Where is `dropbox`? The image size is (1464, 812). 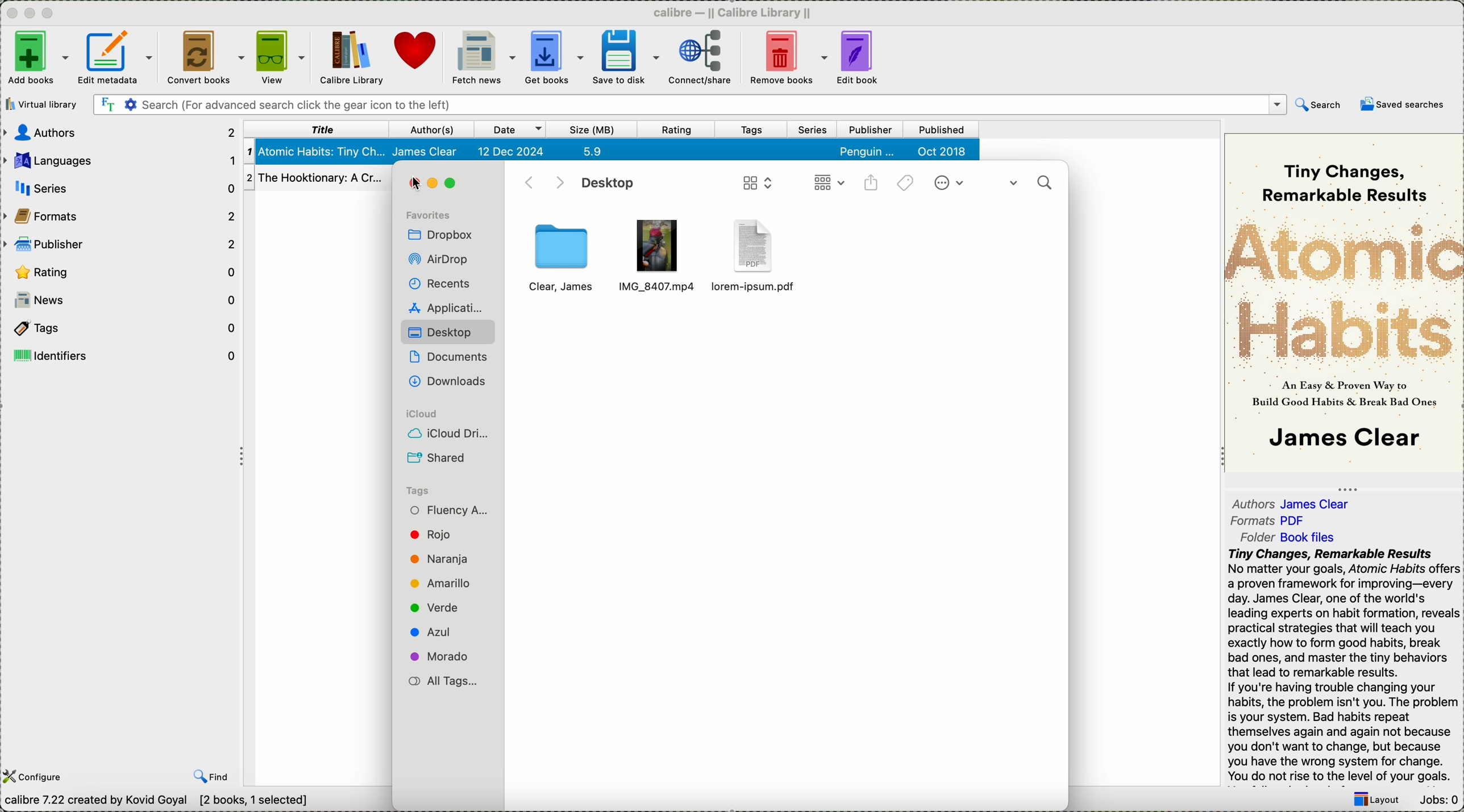
dropbox is located at coordinates (443, 234).